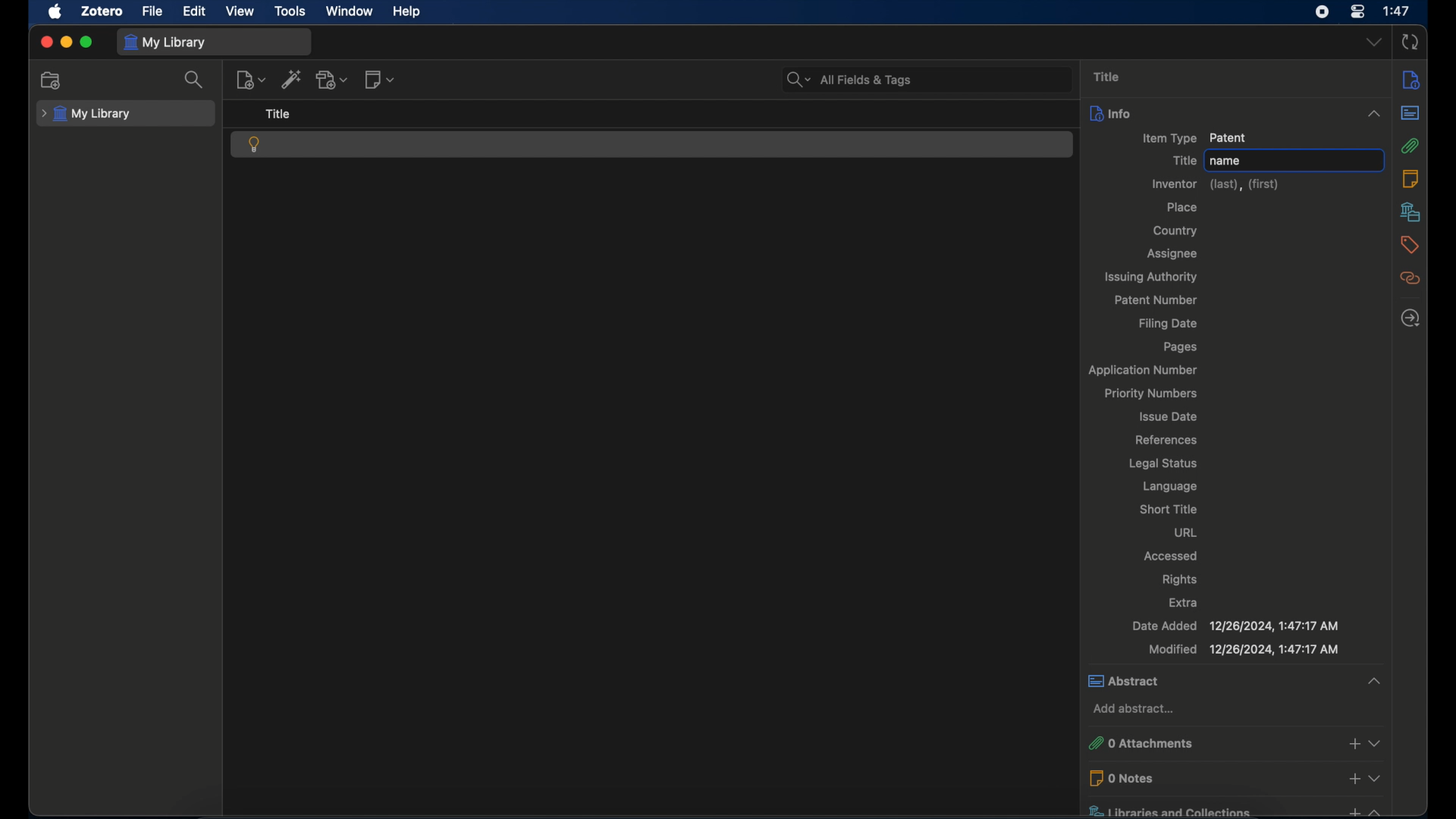 The width and height of the screenshot is (1456, 819). Describe the element at coordinates (1379, 743) in the screenshot. I see `Collapse or expand ` at that location.